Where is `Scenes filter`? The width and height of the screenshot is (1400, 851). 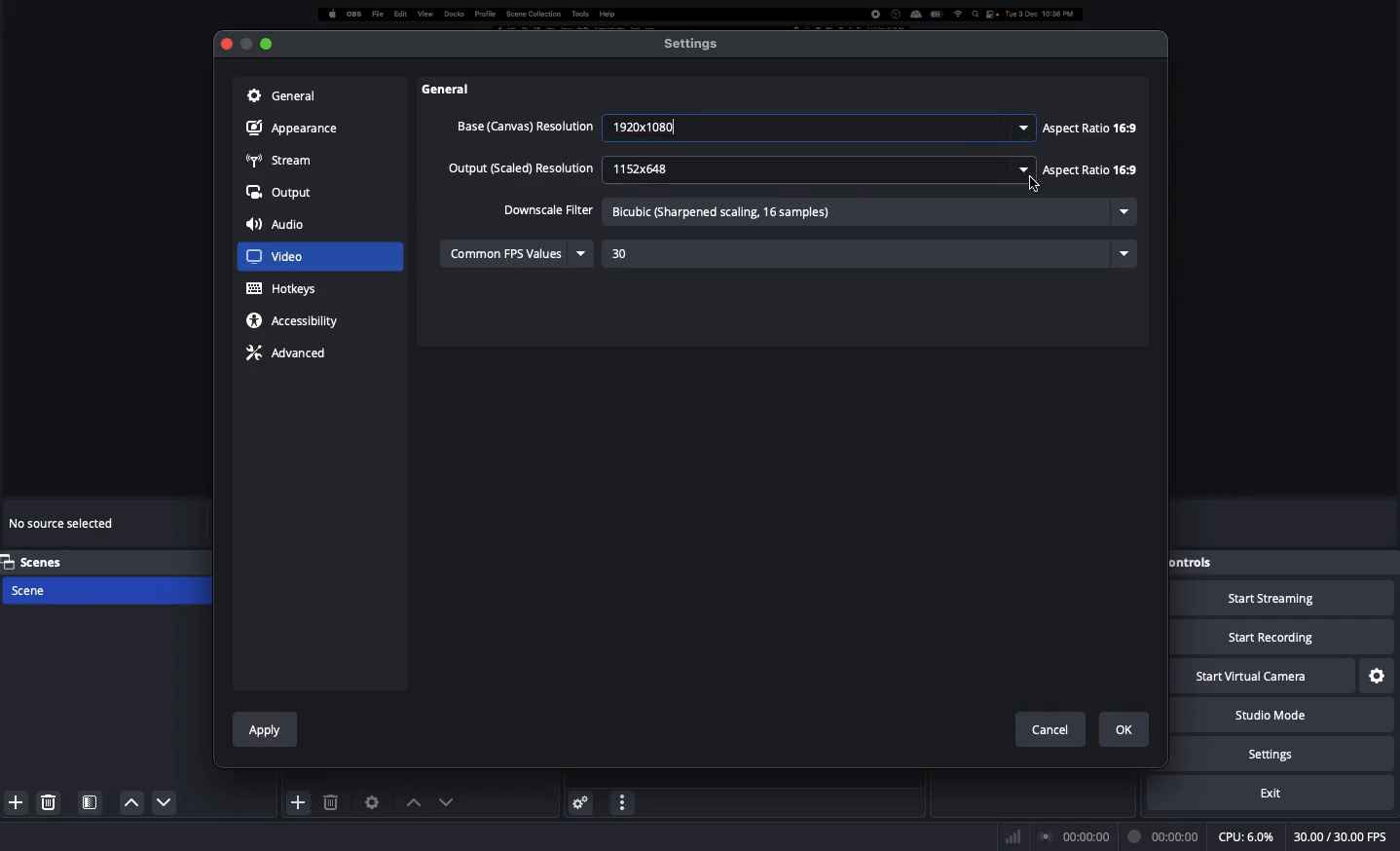
Scenes filter is located at coordinates (91, 802).